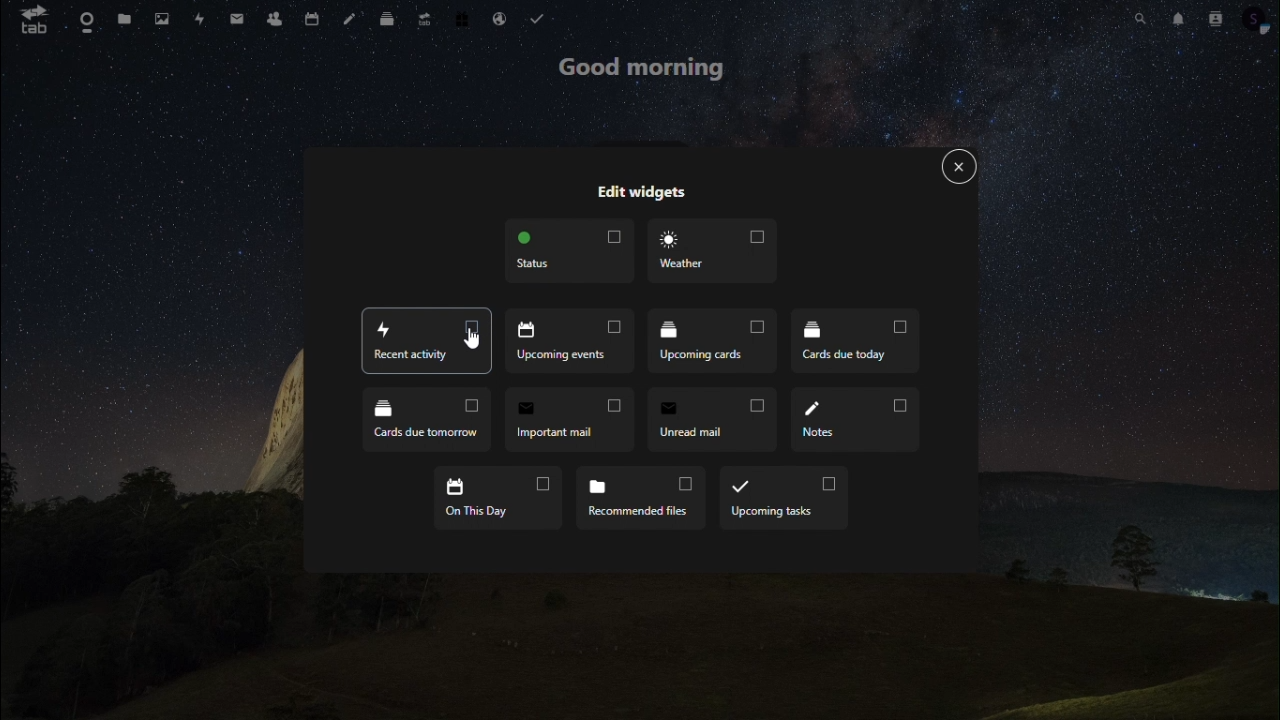  I want to click on photo, so click(162, 17).